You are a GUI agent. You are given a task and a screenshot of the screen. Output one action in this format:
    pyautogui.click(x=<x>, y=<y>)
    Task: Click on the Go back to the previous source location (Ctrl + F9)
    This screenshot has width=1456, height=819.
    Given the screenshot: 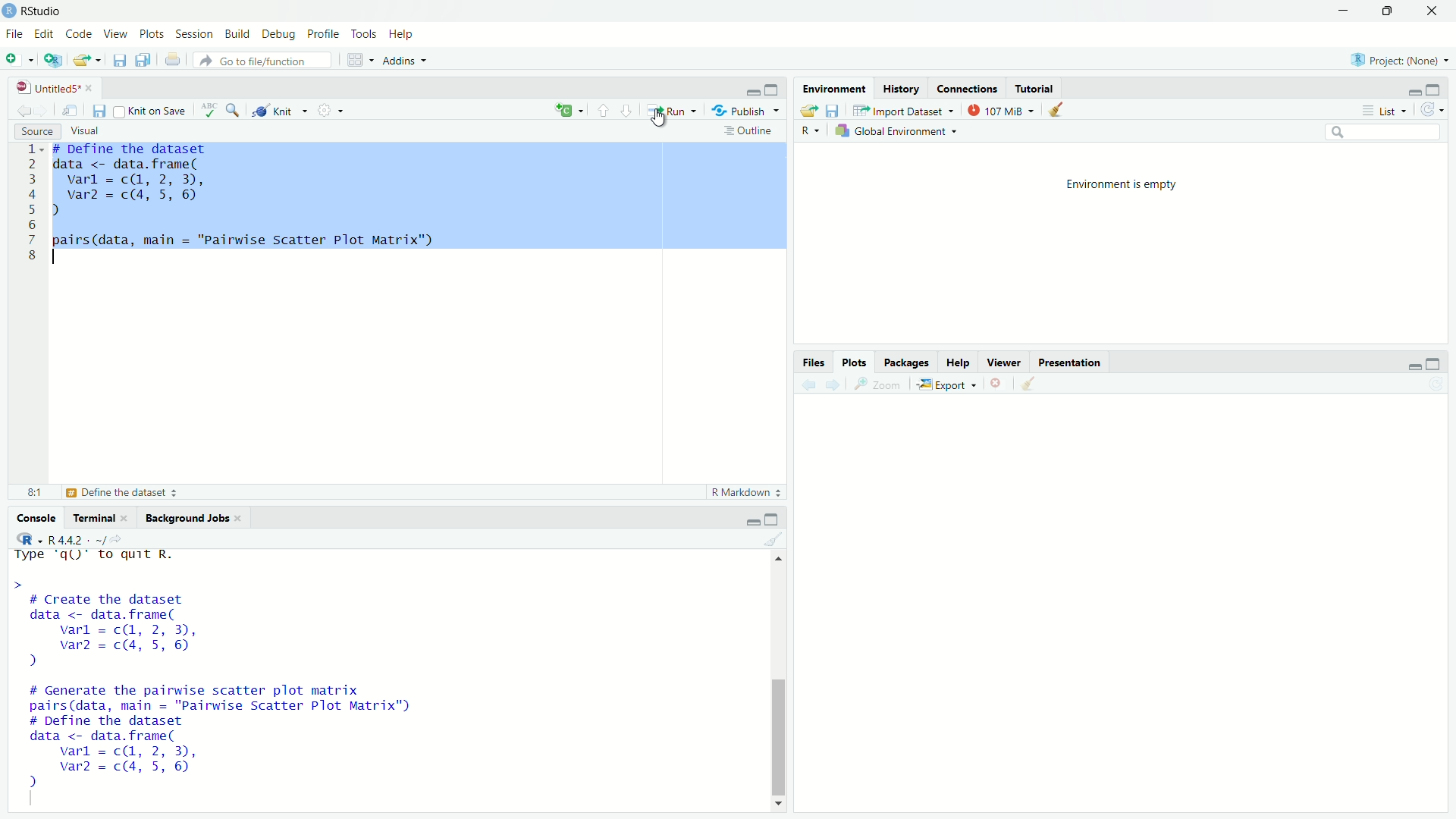 What is the action you would take?
    pyautogui.click(x=24, y=108)
    